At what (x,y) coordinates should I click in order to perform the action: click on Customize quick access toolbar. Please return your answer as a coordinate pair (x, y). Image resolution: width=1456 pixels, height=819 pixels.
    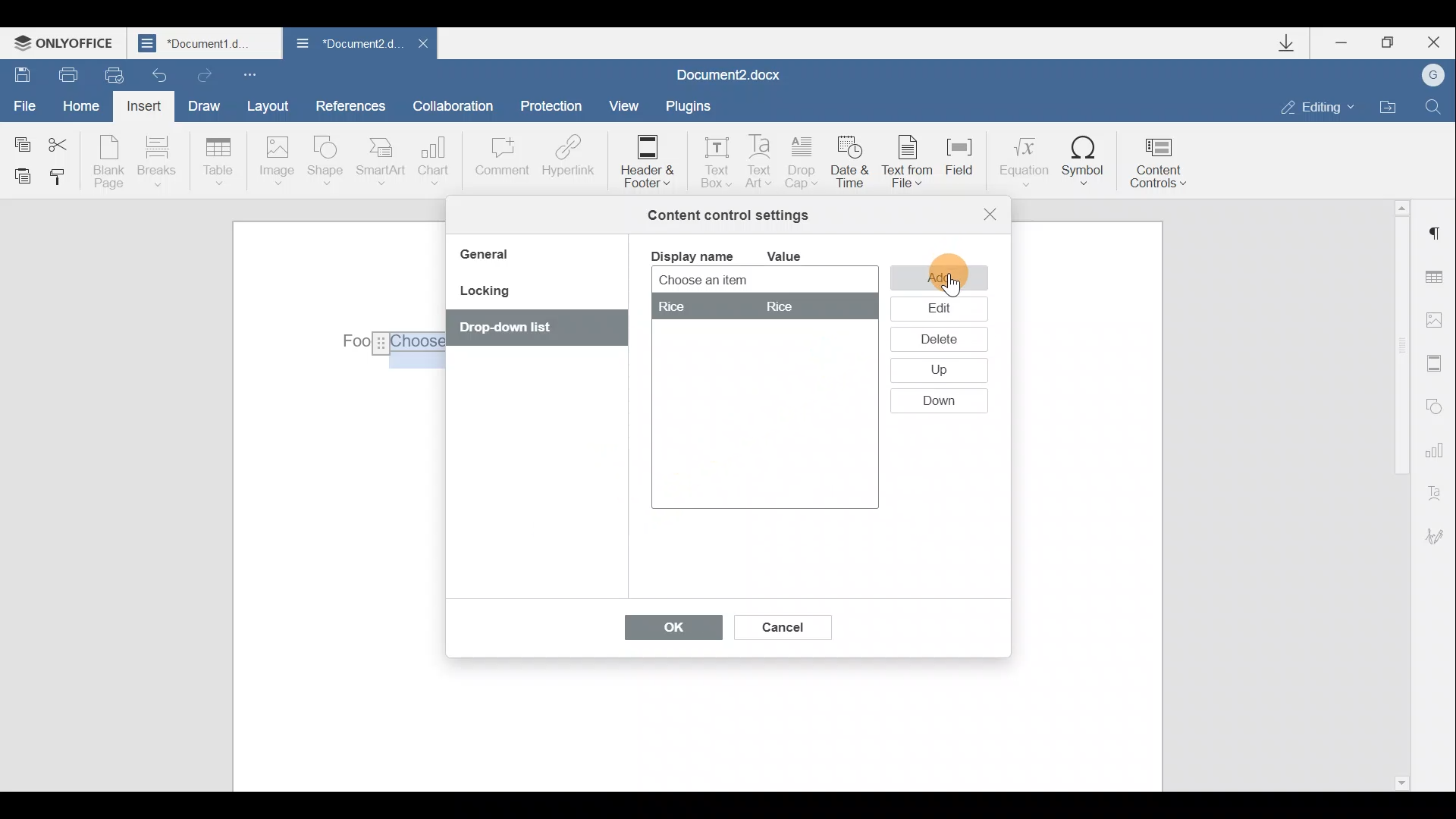
    Looking at the image, I should click on (253, 74).